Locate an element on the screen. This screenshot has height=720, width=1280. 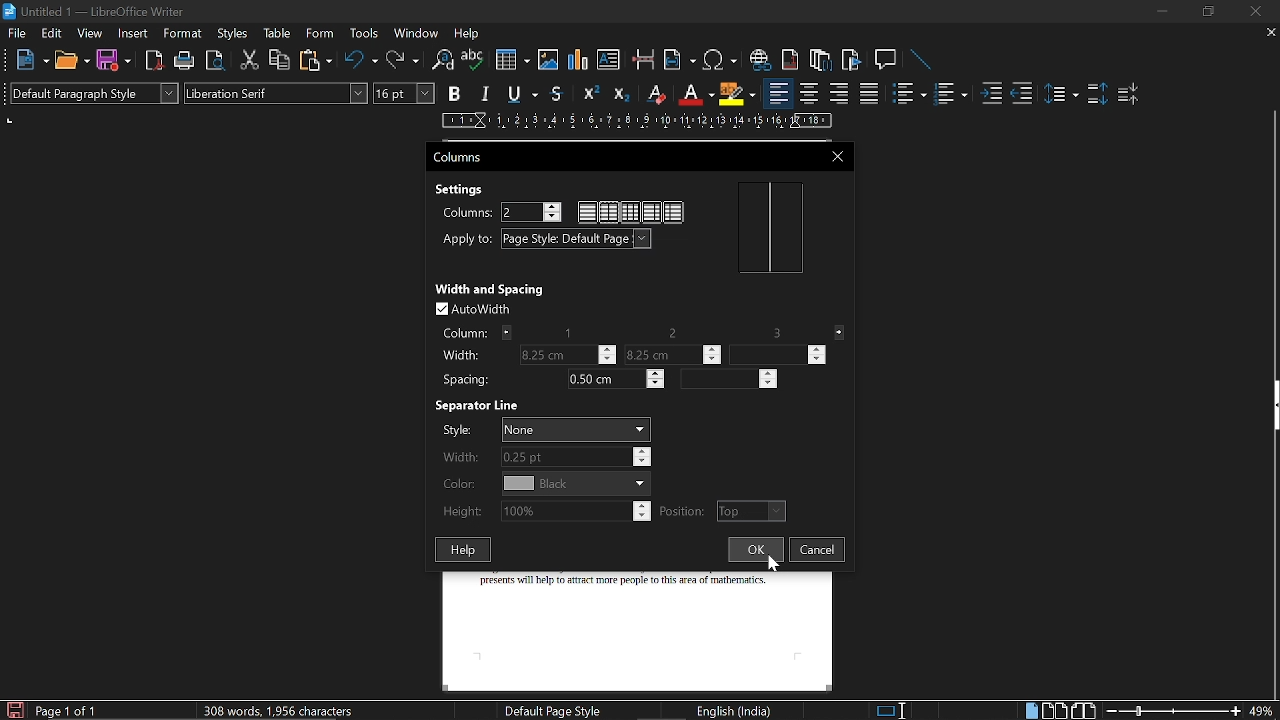
Save is located at coordinates (114, 63).